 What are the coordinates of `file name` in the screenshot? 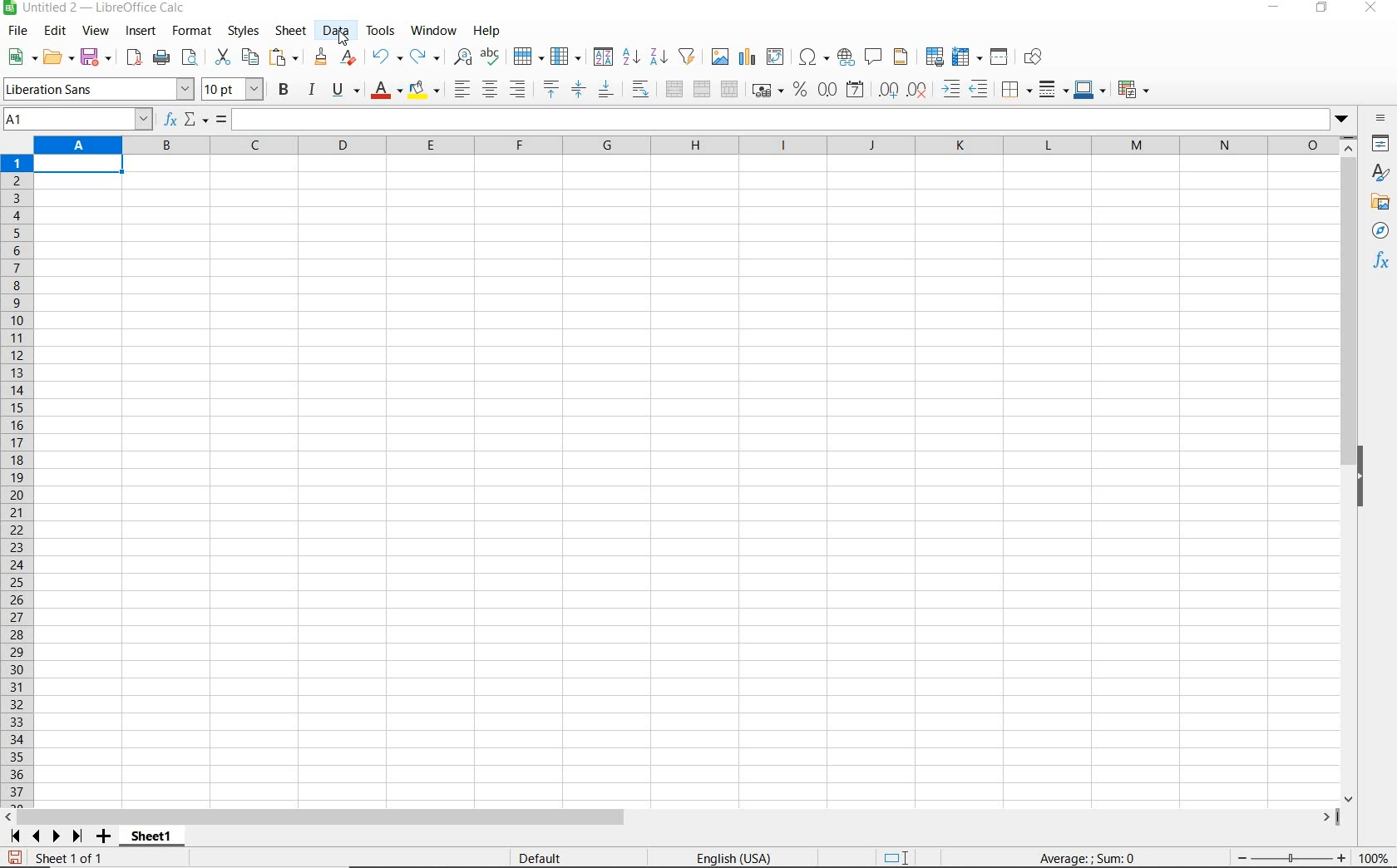 It's located at (95, 9).